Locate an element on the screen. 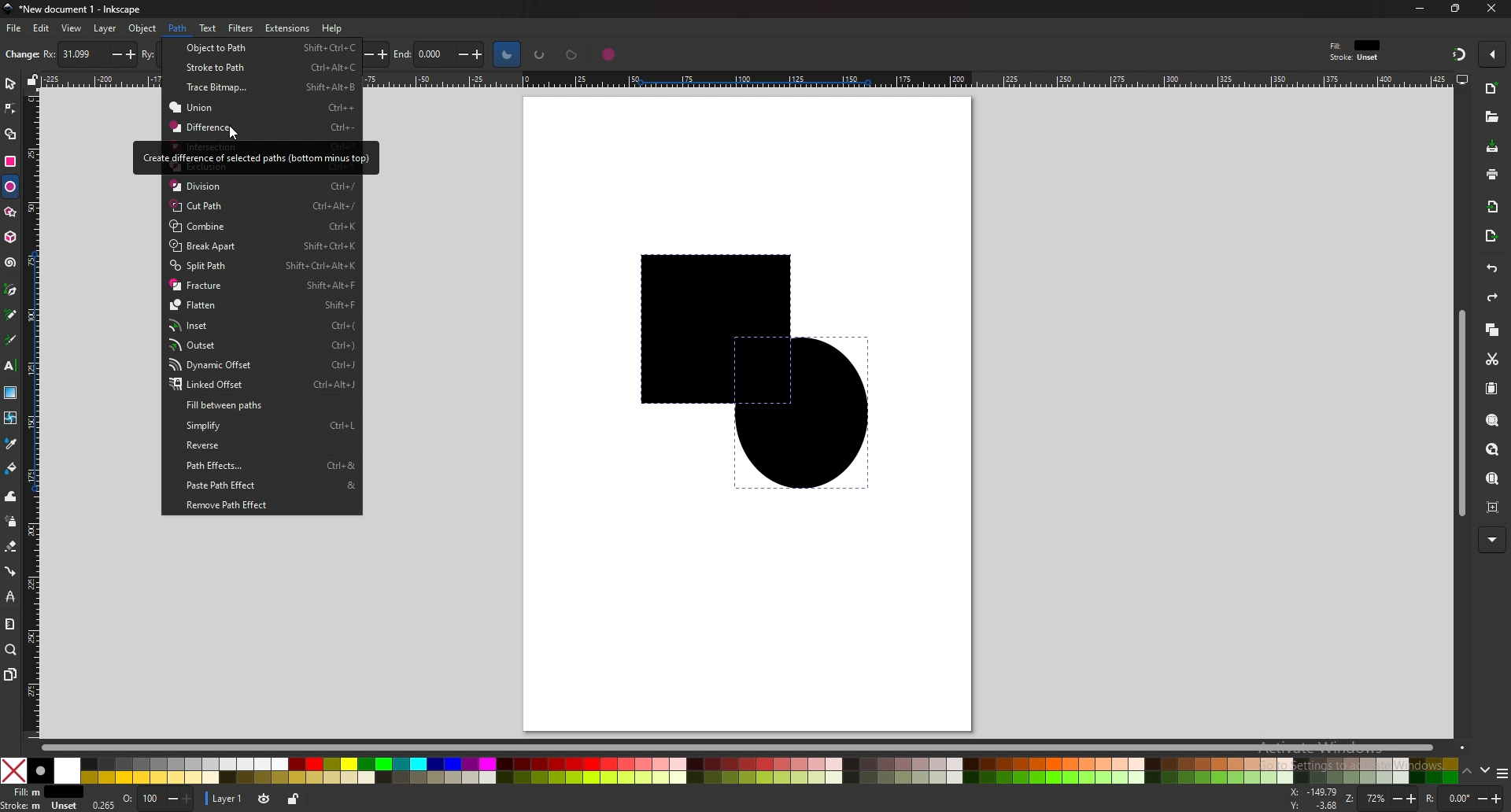 Image resolution: width=1511 pixels, height=812 pixels. end is located at coordinates (443, 55).